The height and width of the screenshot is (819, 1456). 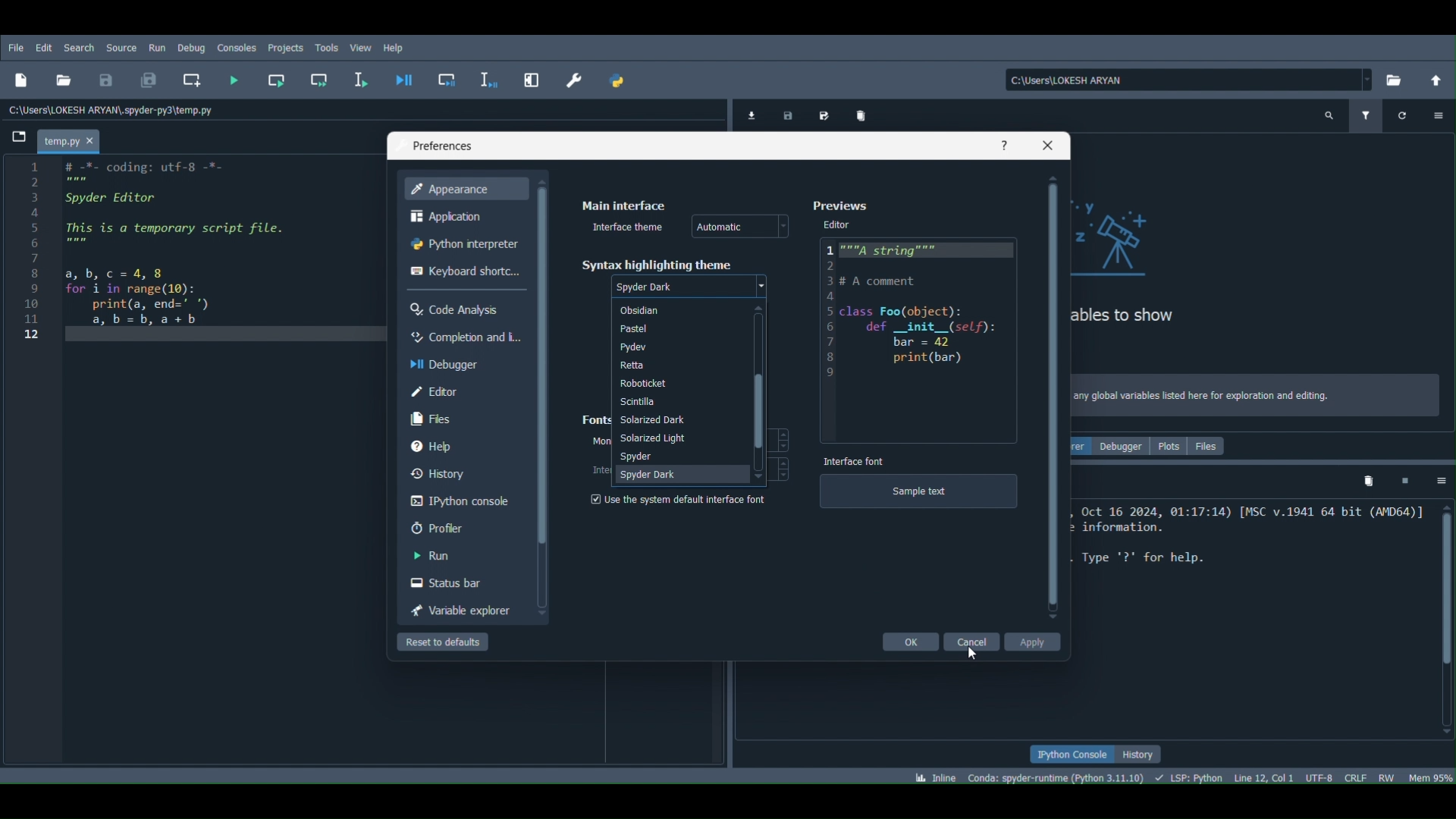 What do you see at coordinates (838, 206) in the screenshot?
I see `Preferences` at bounding box center [838, 206].